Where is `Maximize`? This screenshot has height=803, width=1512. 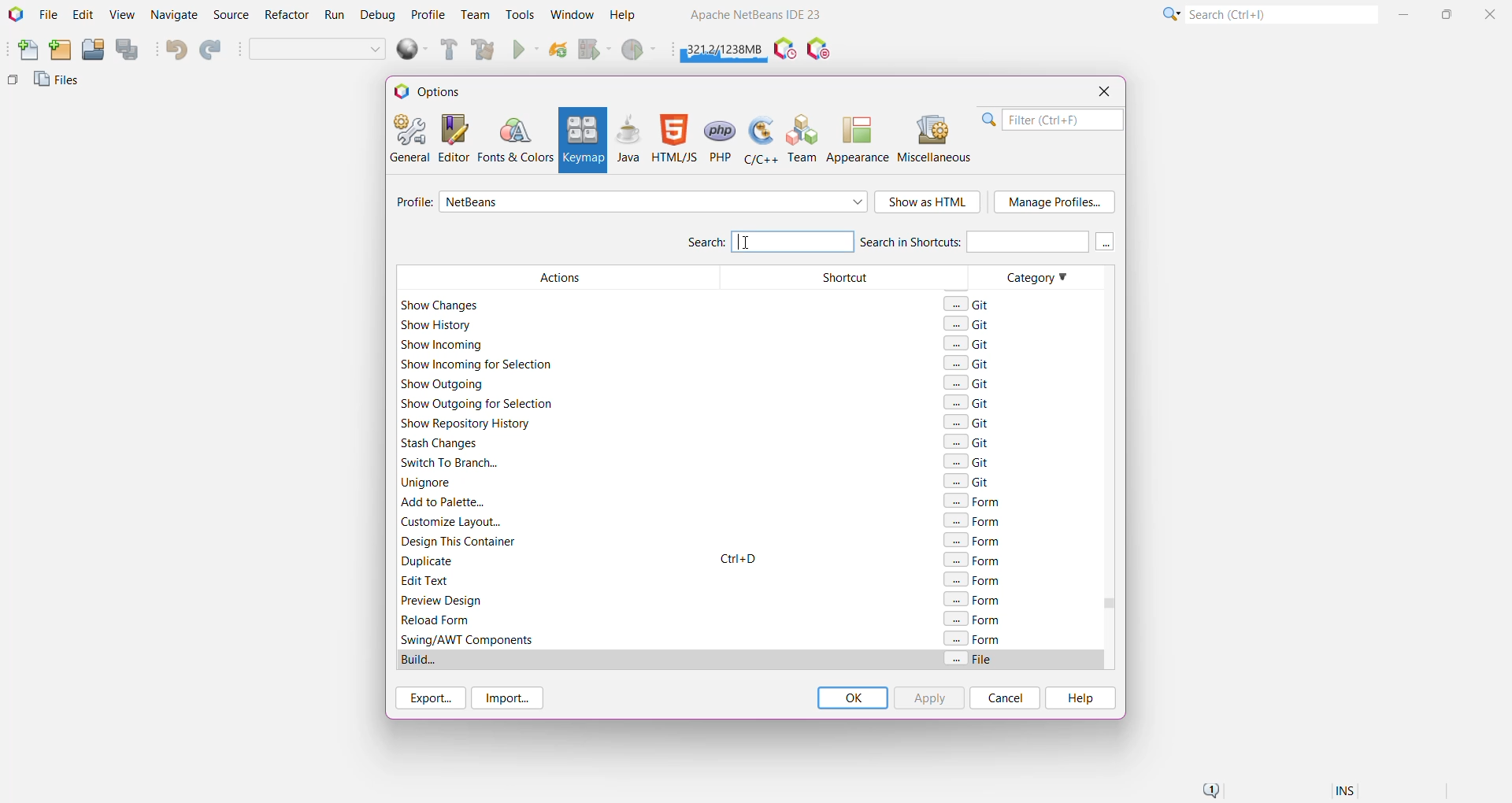 Maximize is located at coordinates (1449, 13).